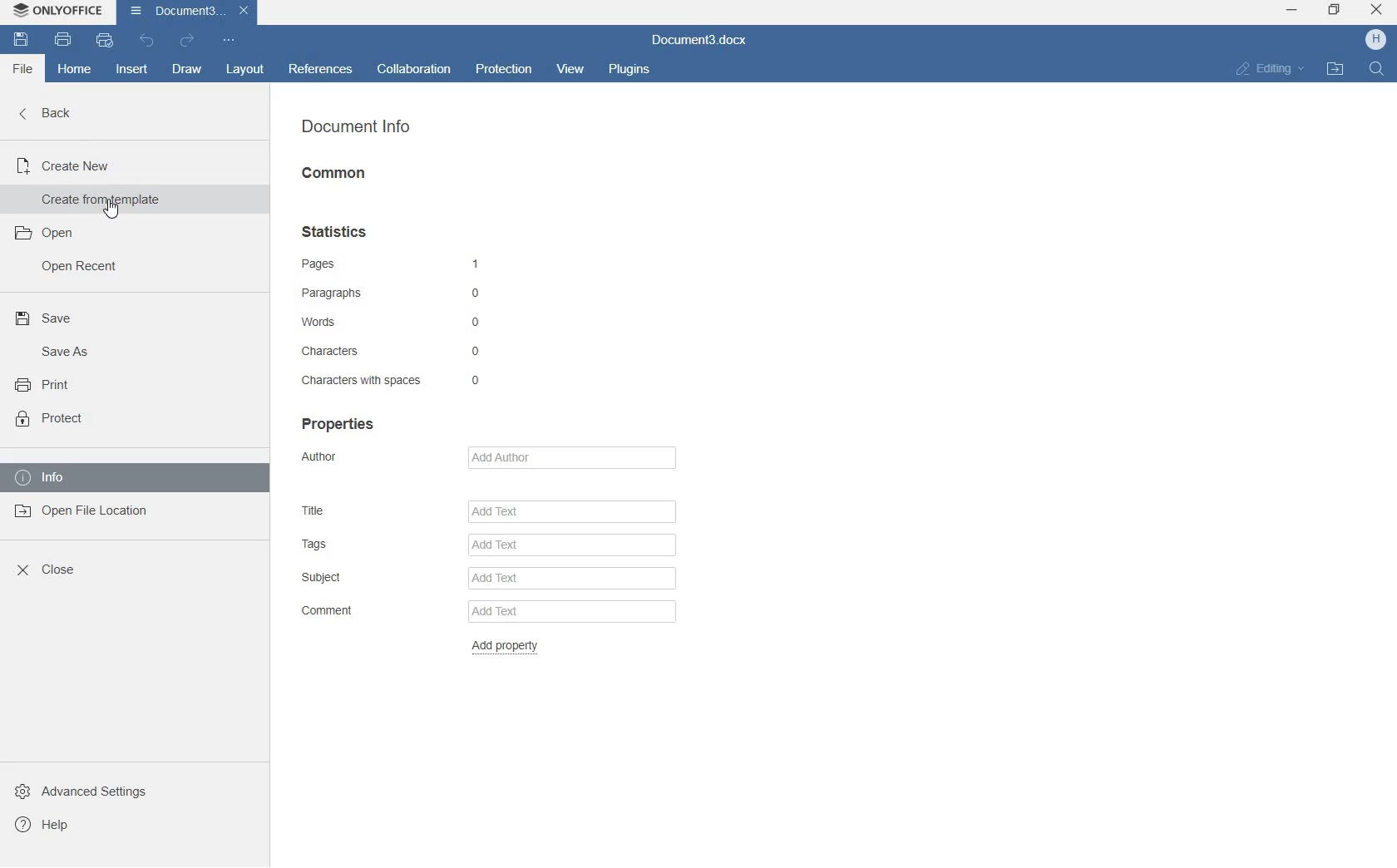 The image size is (1397, 868). I want to click on close, so click(1375, 9).